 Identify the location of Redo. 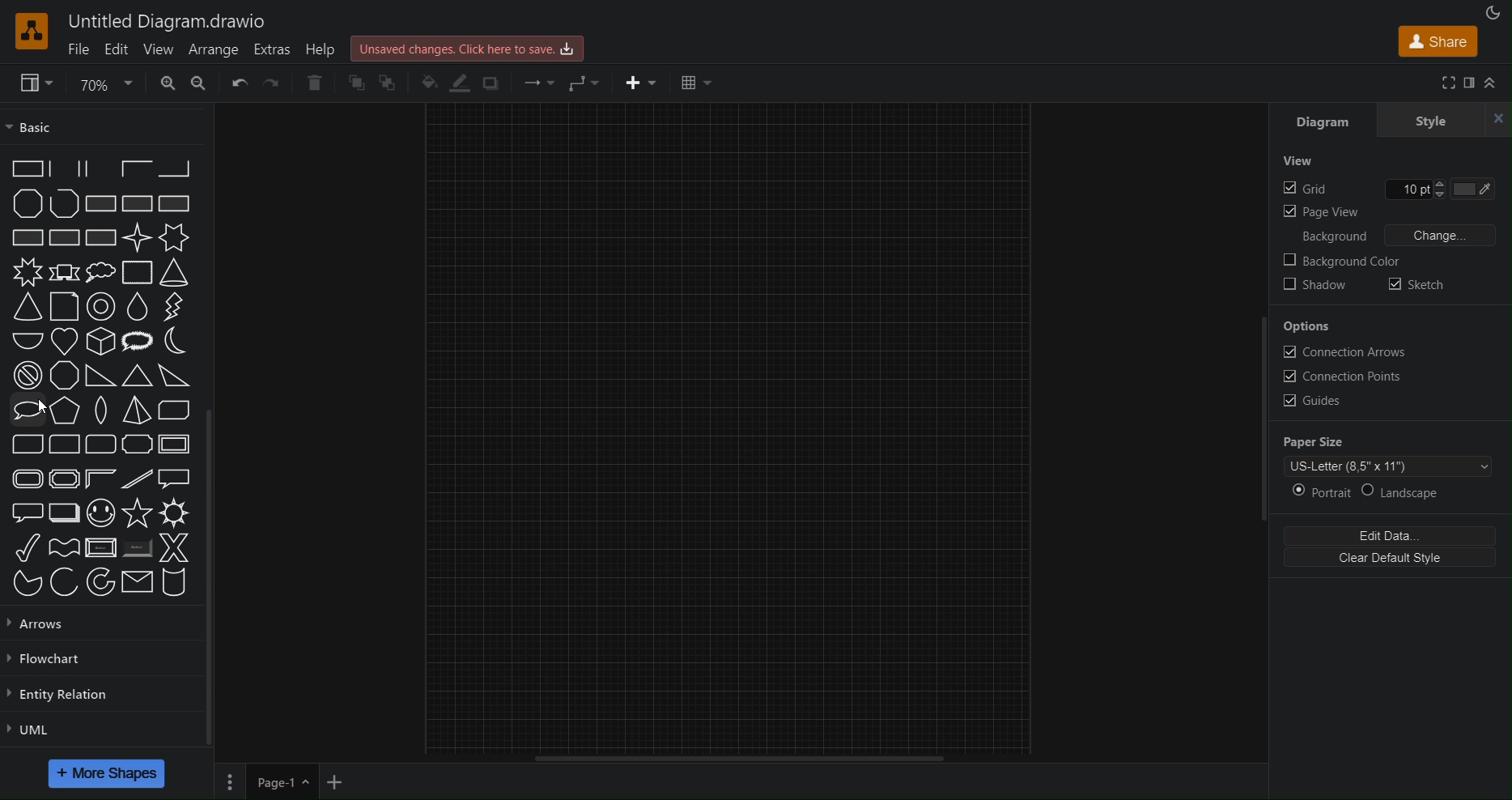
(270, 86).